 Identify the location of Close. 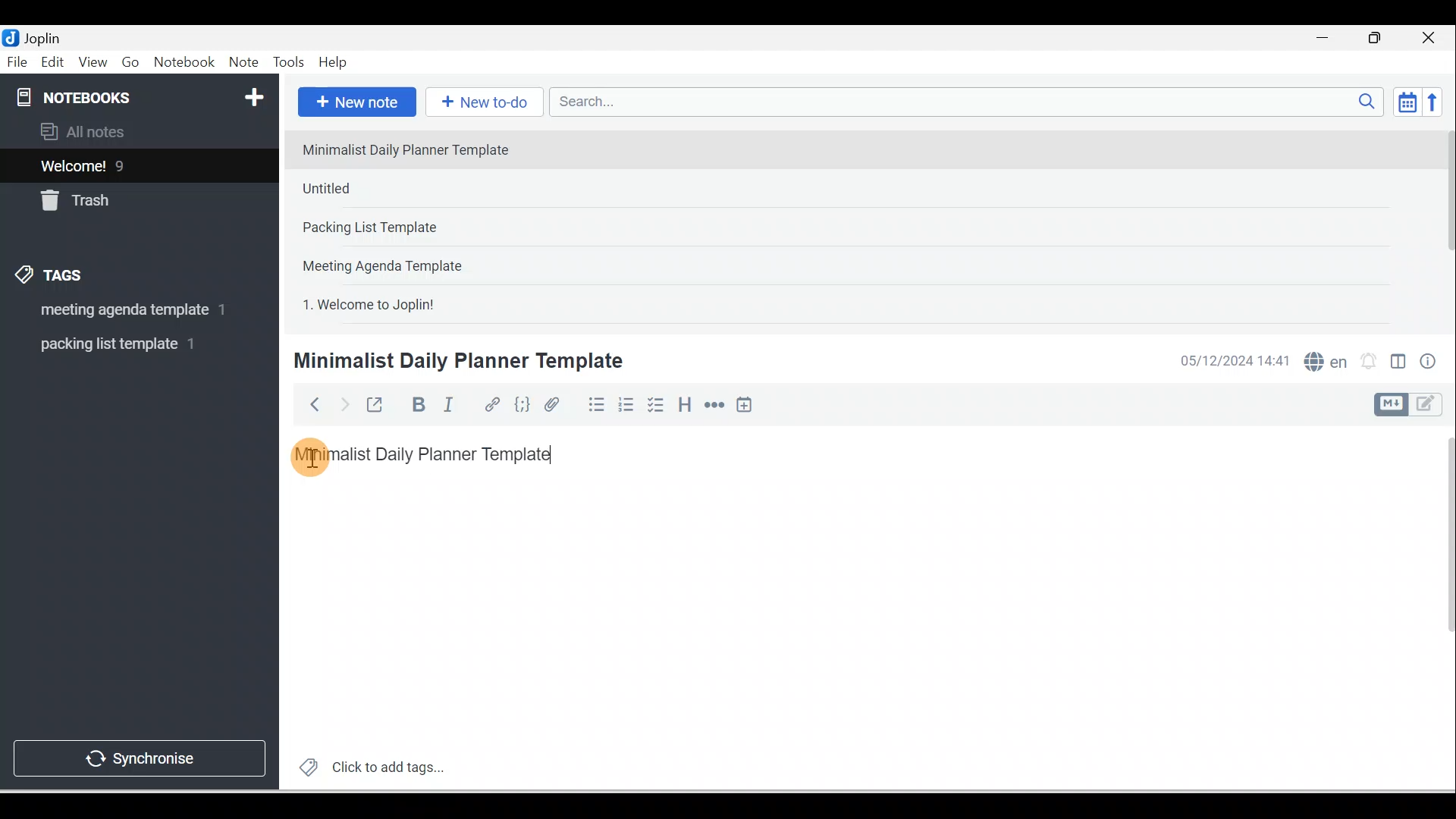
(1432, 38).